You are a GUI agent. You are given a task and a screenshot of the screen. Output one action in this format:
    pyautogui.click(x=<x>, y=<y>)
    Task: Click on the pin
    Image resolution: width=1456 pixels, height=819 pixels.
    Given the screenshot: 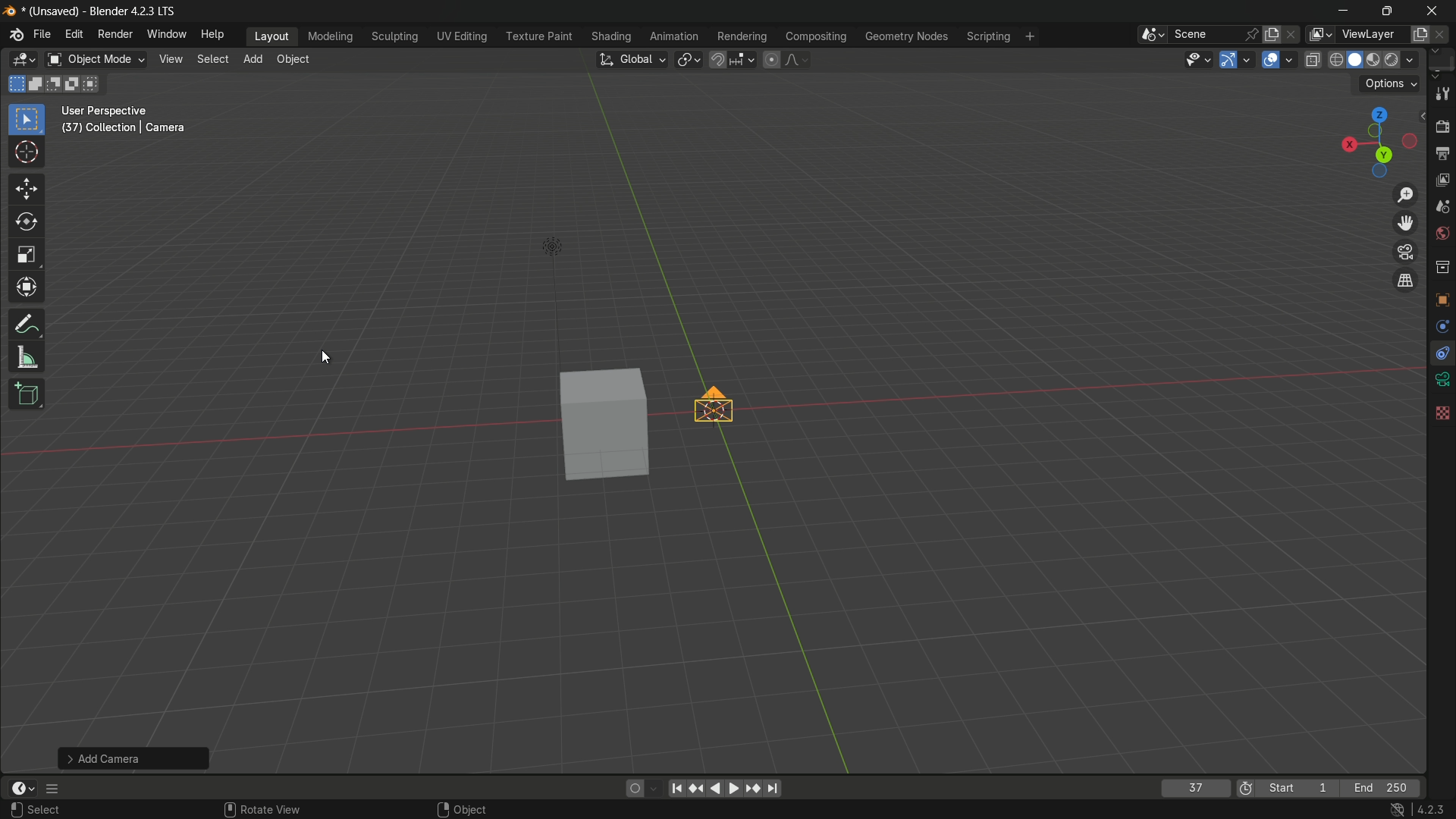 What is the action you would take?
    pyautogui.click(x=1252, y=36)
    